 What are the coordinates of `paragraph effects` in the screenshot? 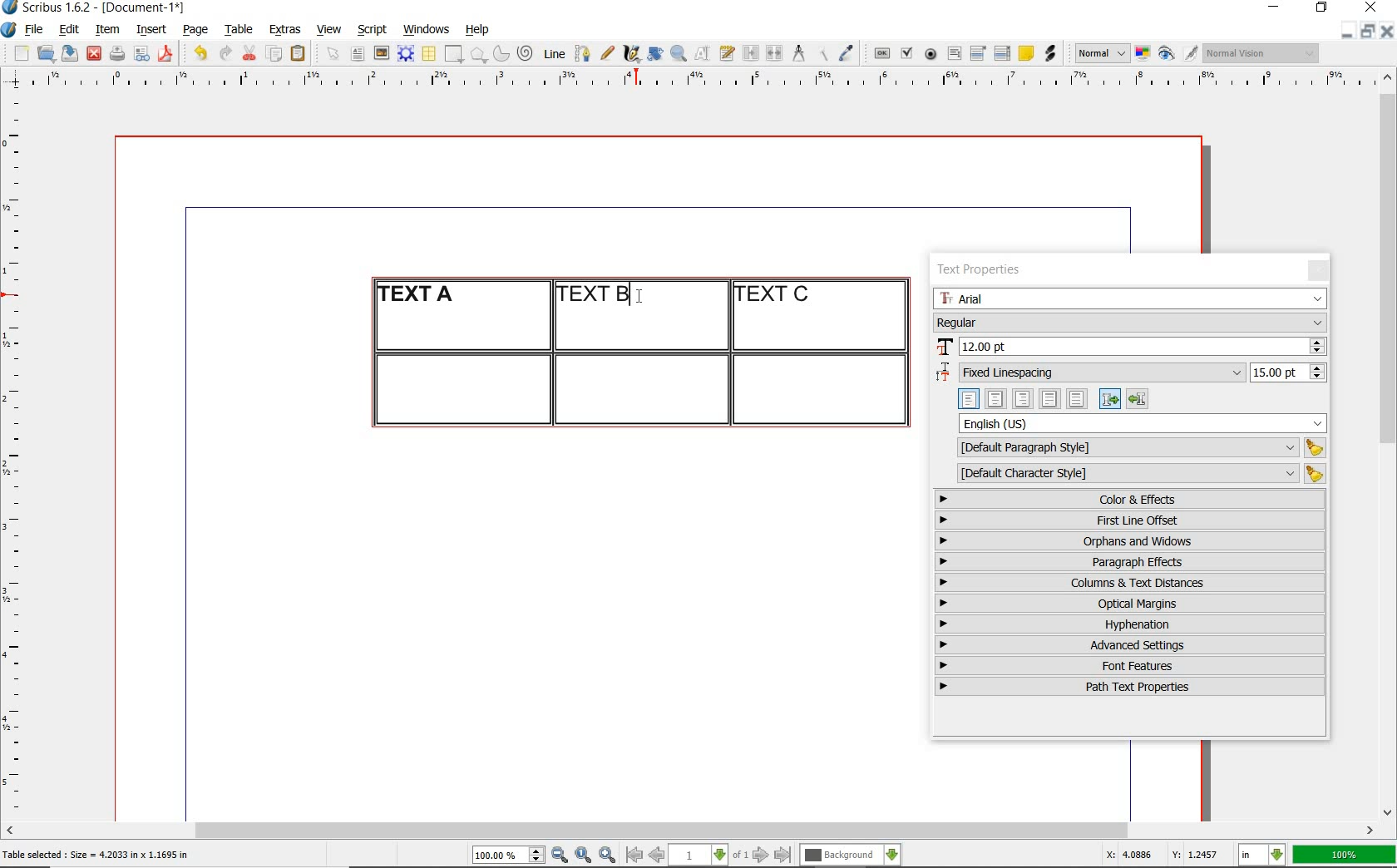 It's located at (1128, 561).